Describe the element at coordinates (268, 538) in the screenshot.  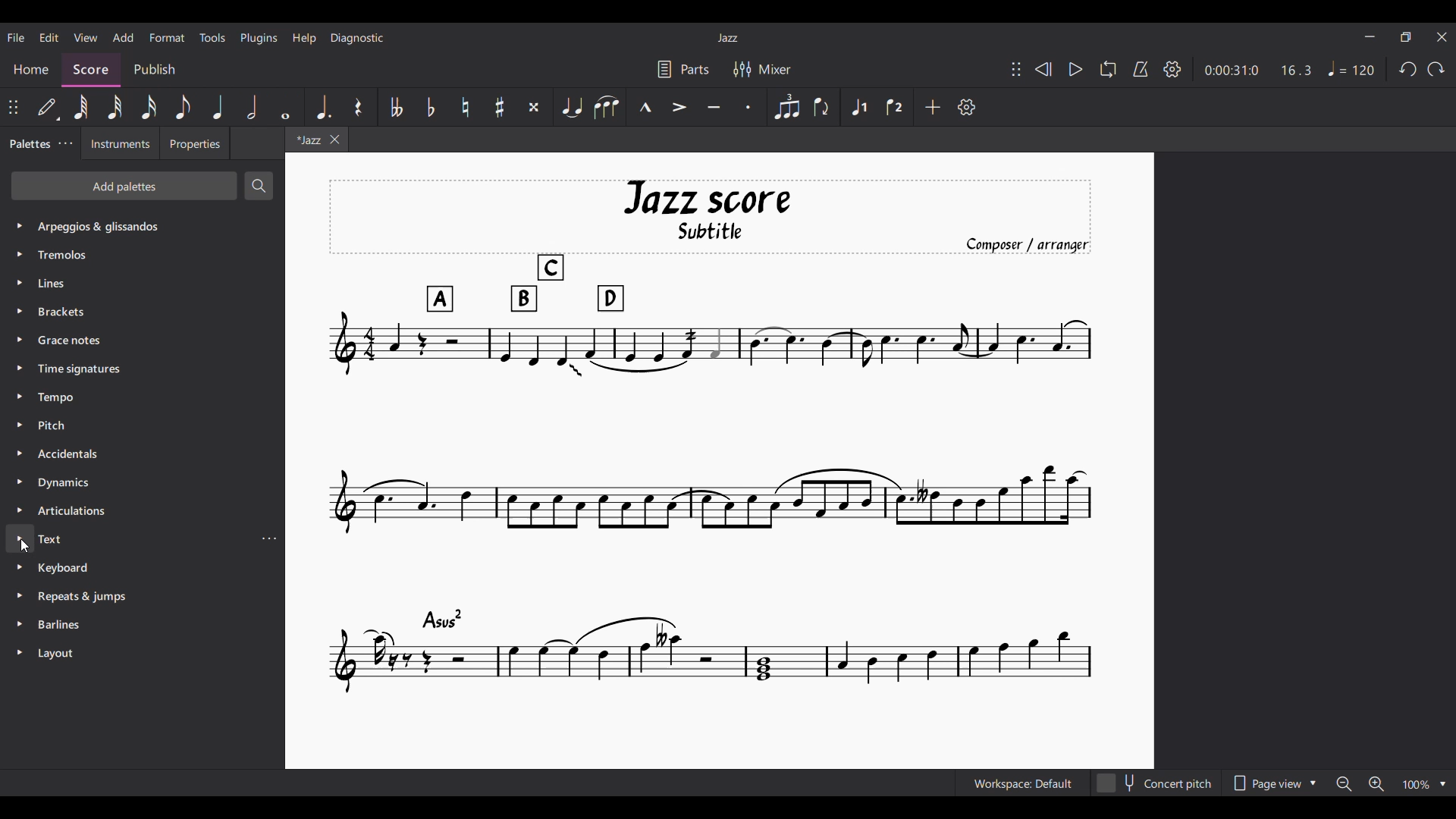
I see `Text settings` at that location.